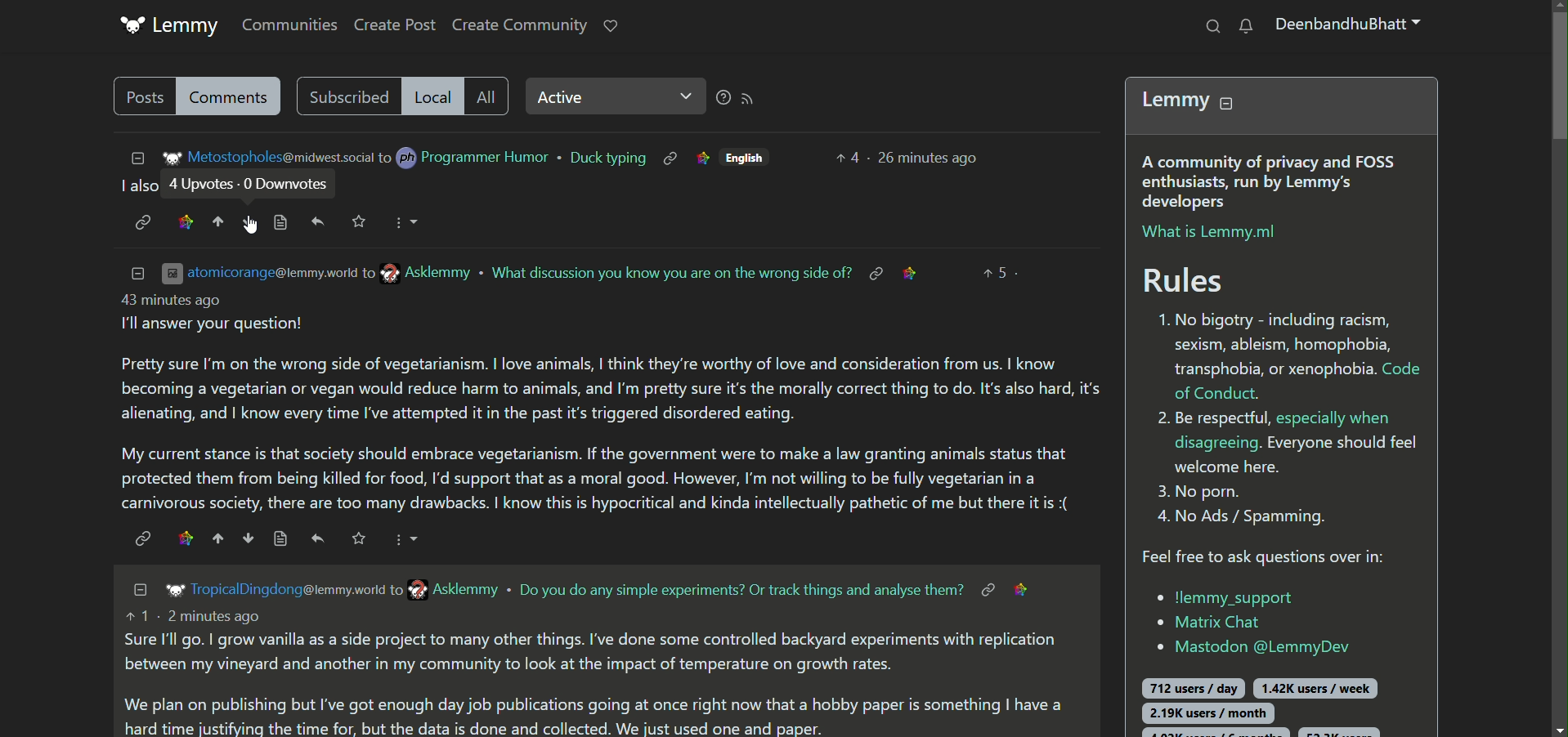 This screenshot has height=737, width=1568. I want to click on highlight, so click(183, 538).